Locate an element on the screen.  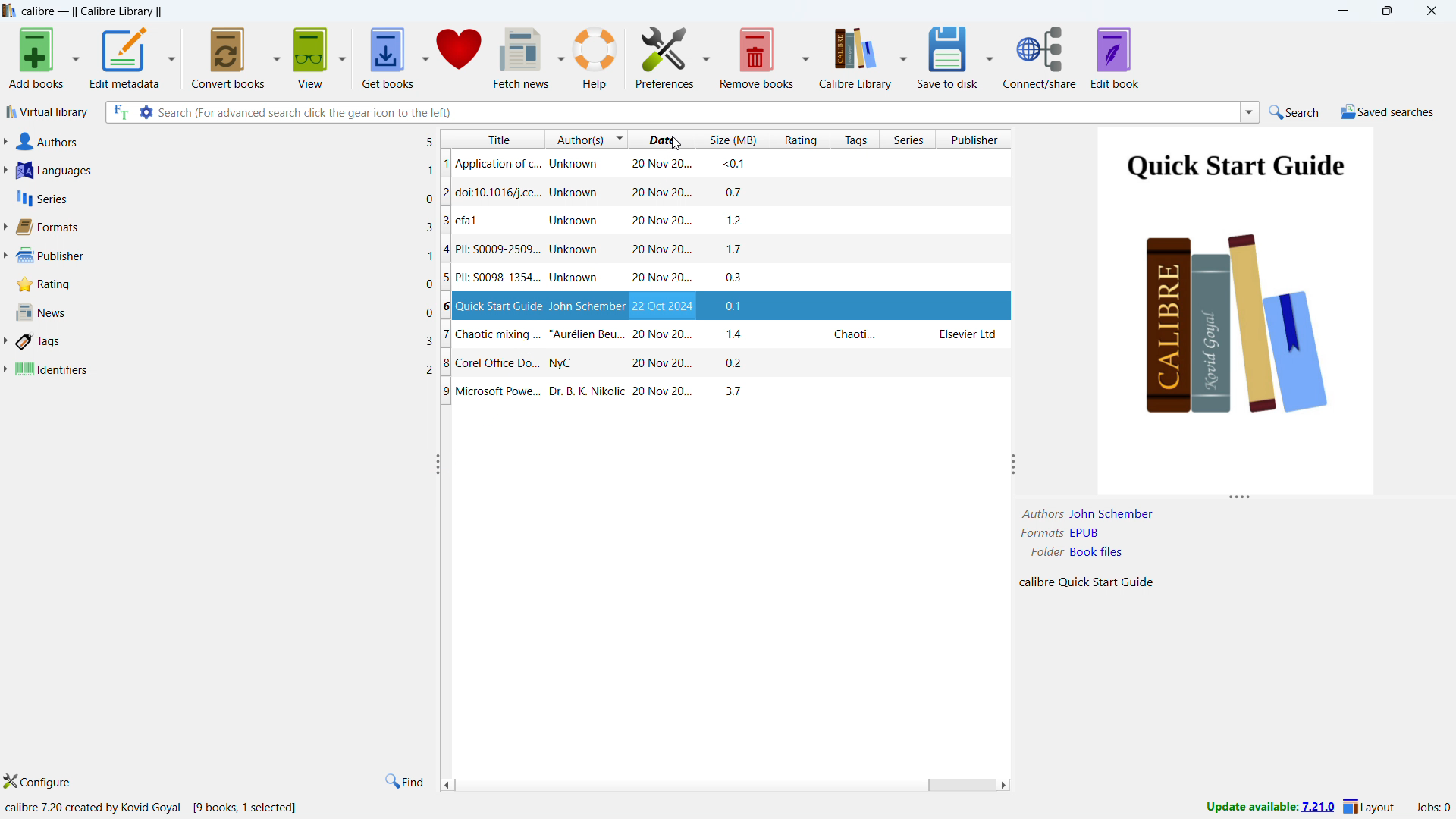
tags is located at coordinates (855, 140).